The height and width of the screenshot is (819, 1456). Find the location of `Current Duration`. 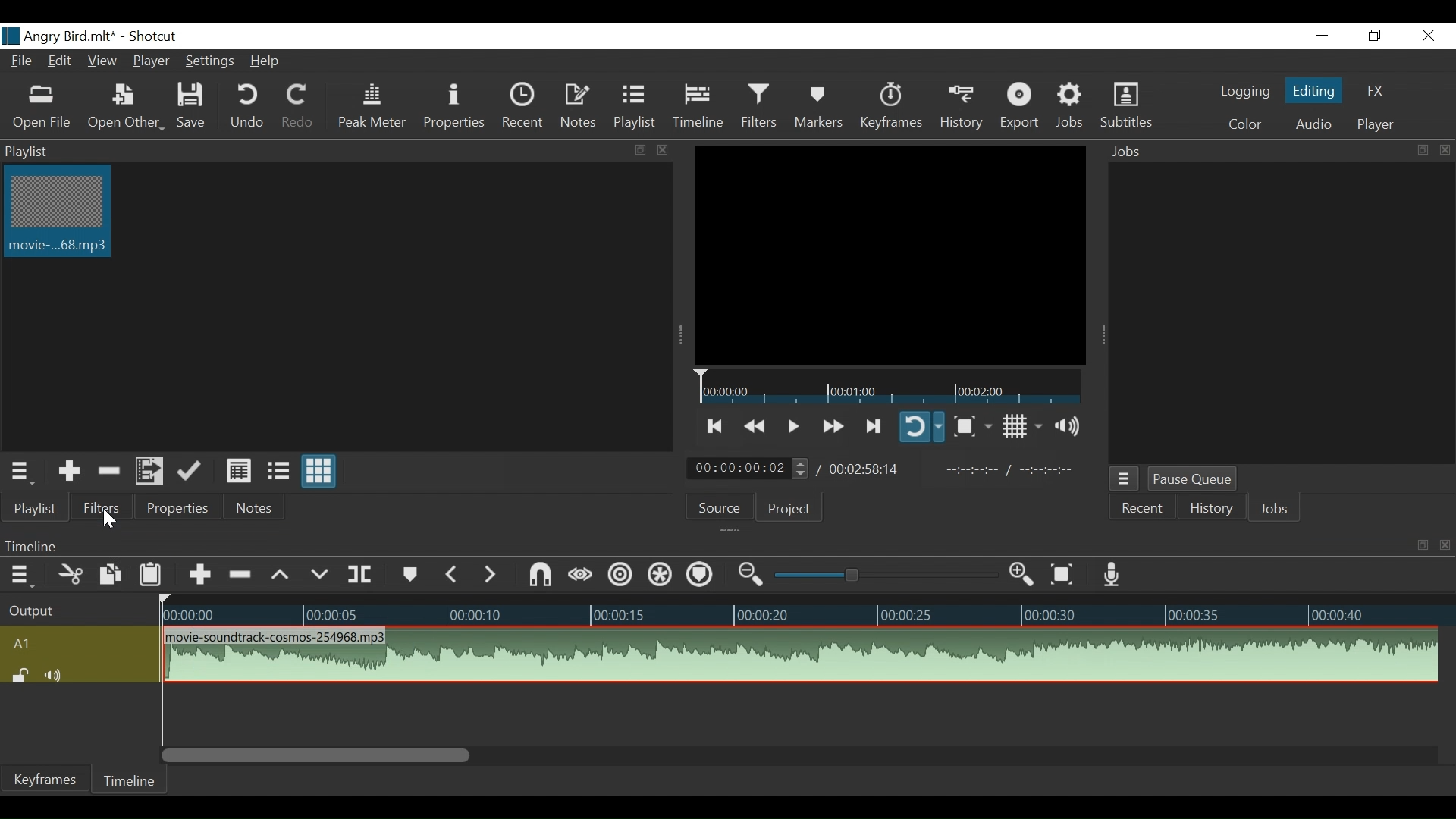

Current Duration is located at coordinates (748, 467).